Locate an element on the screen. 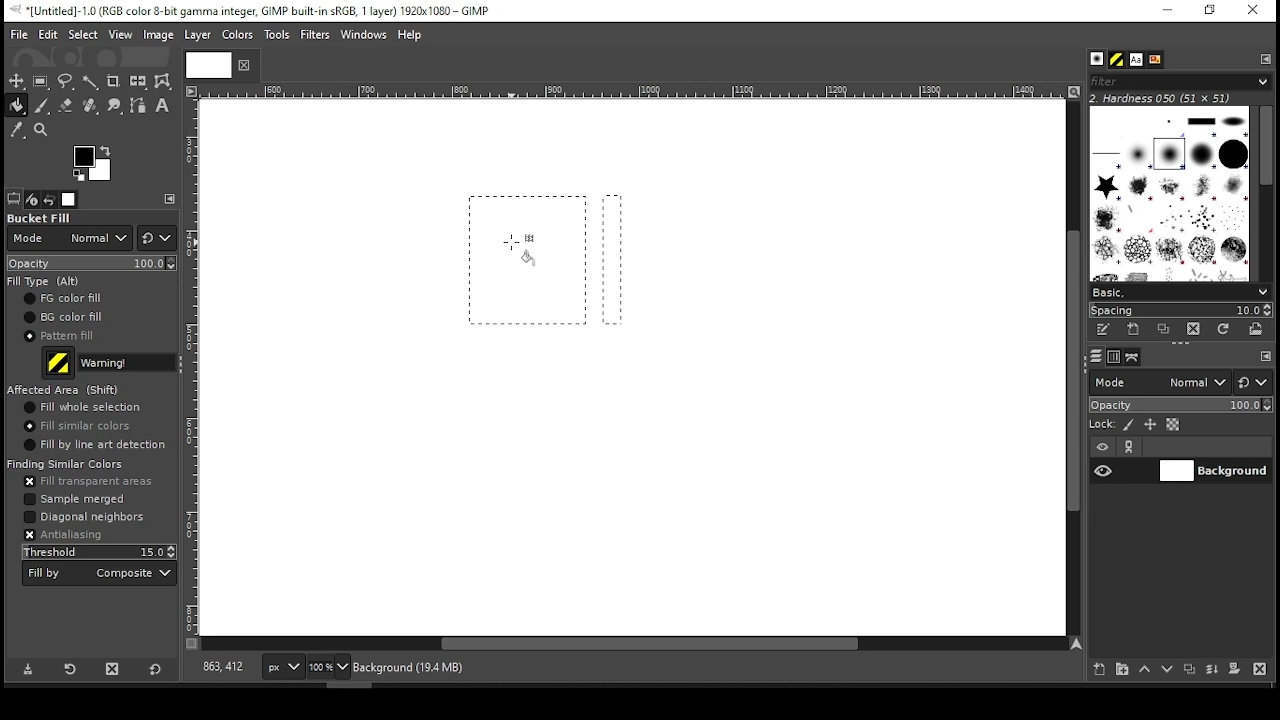  edit this brush is located at coordinates (1102, 331).